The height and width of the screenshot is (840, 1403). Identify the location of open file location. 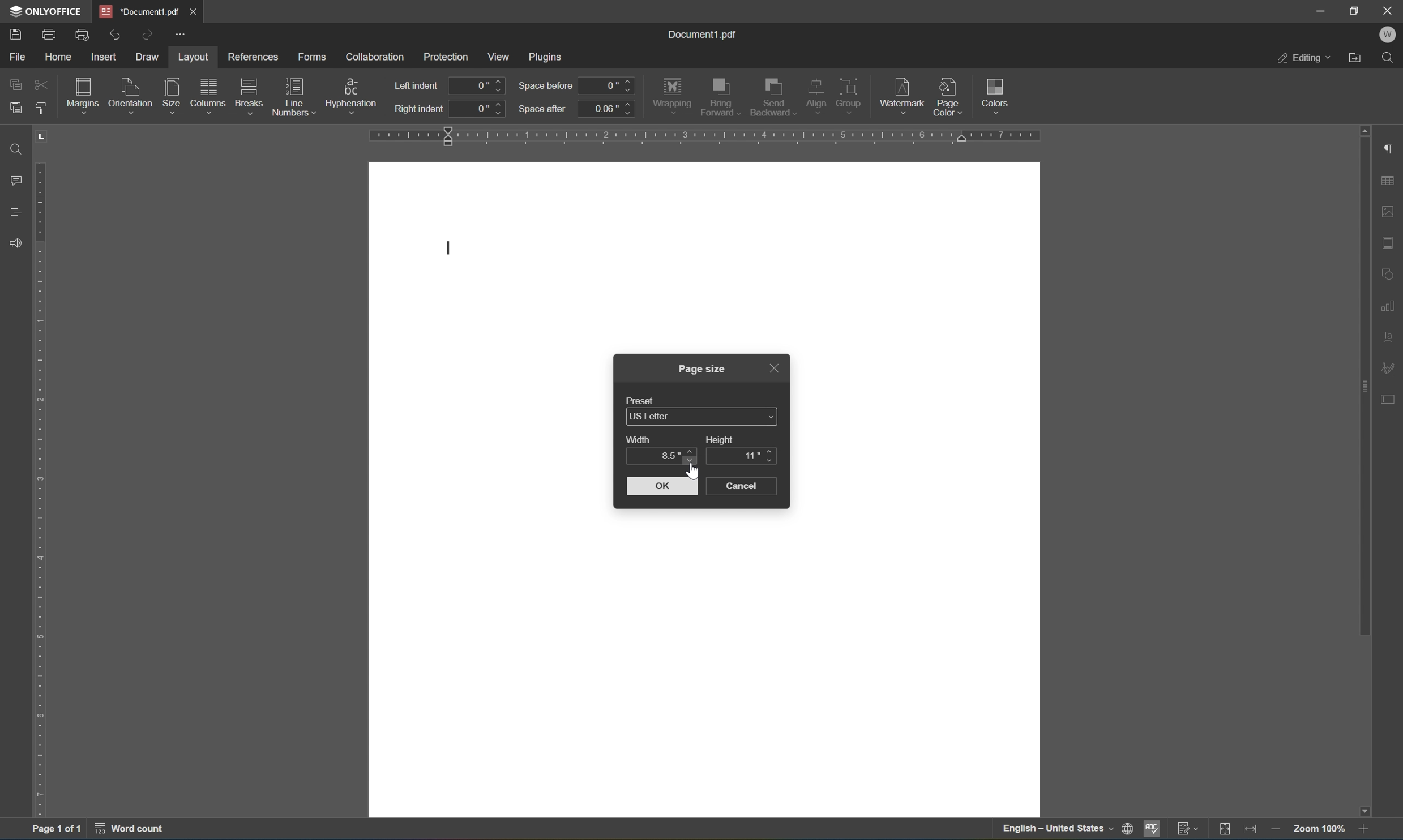
(1355, 58).